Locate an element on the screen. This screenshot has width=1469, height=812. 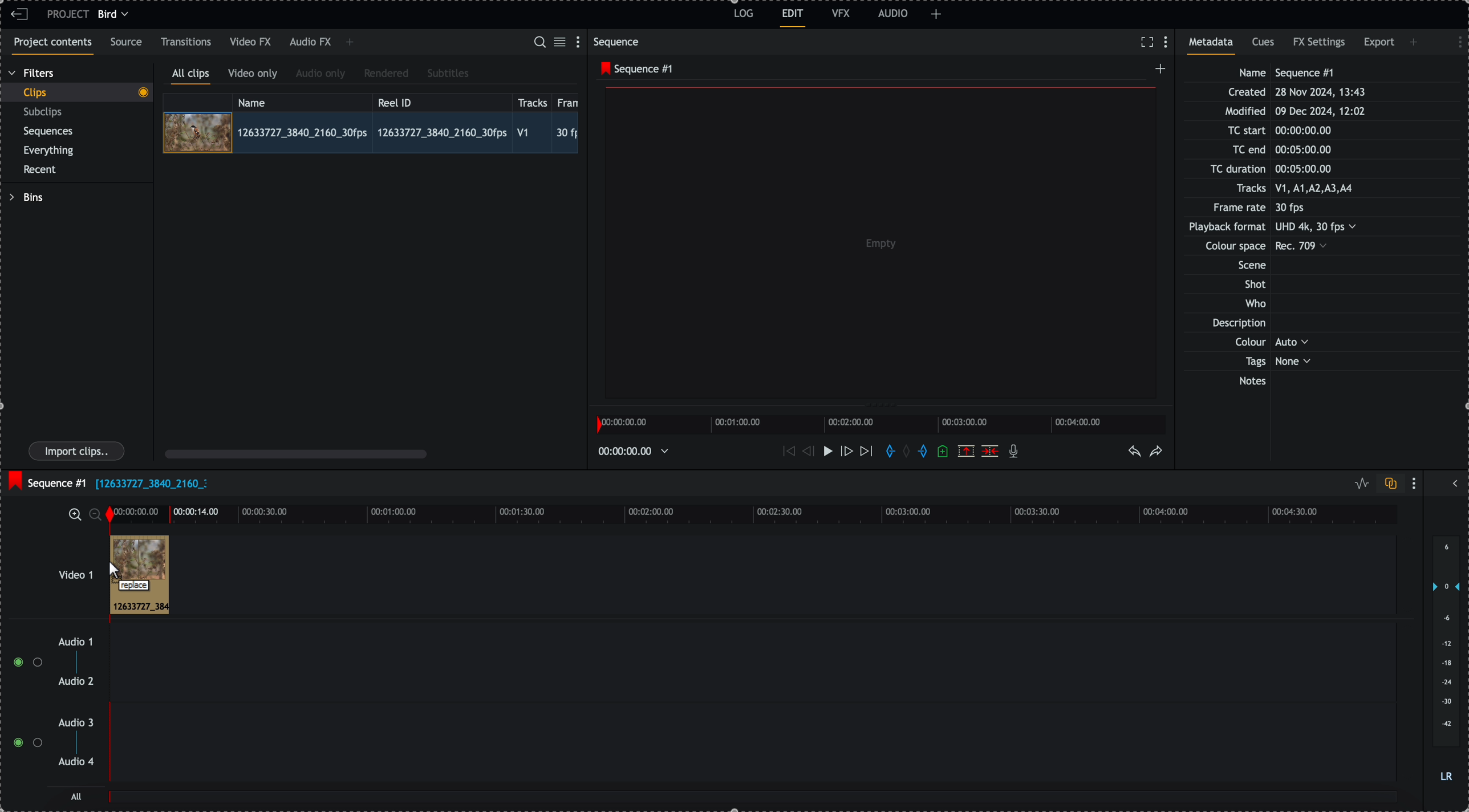
video only is located at coordinates (255, 75).